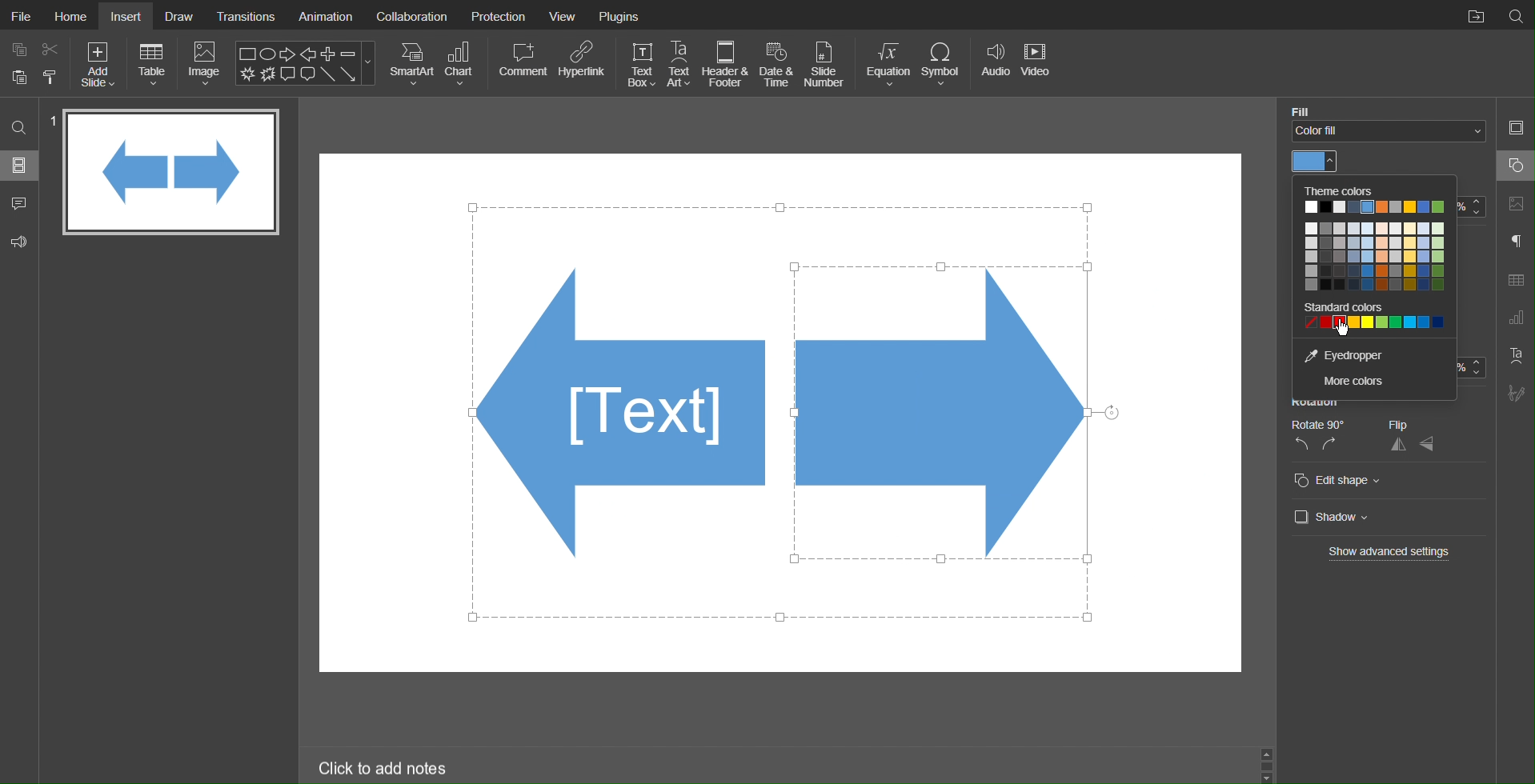 This screenshot has width=1535, height=784. Describe the element at coordinates (51, 79) in the screenshot. I see `paste options` at that location.